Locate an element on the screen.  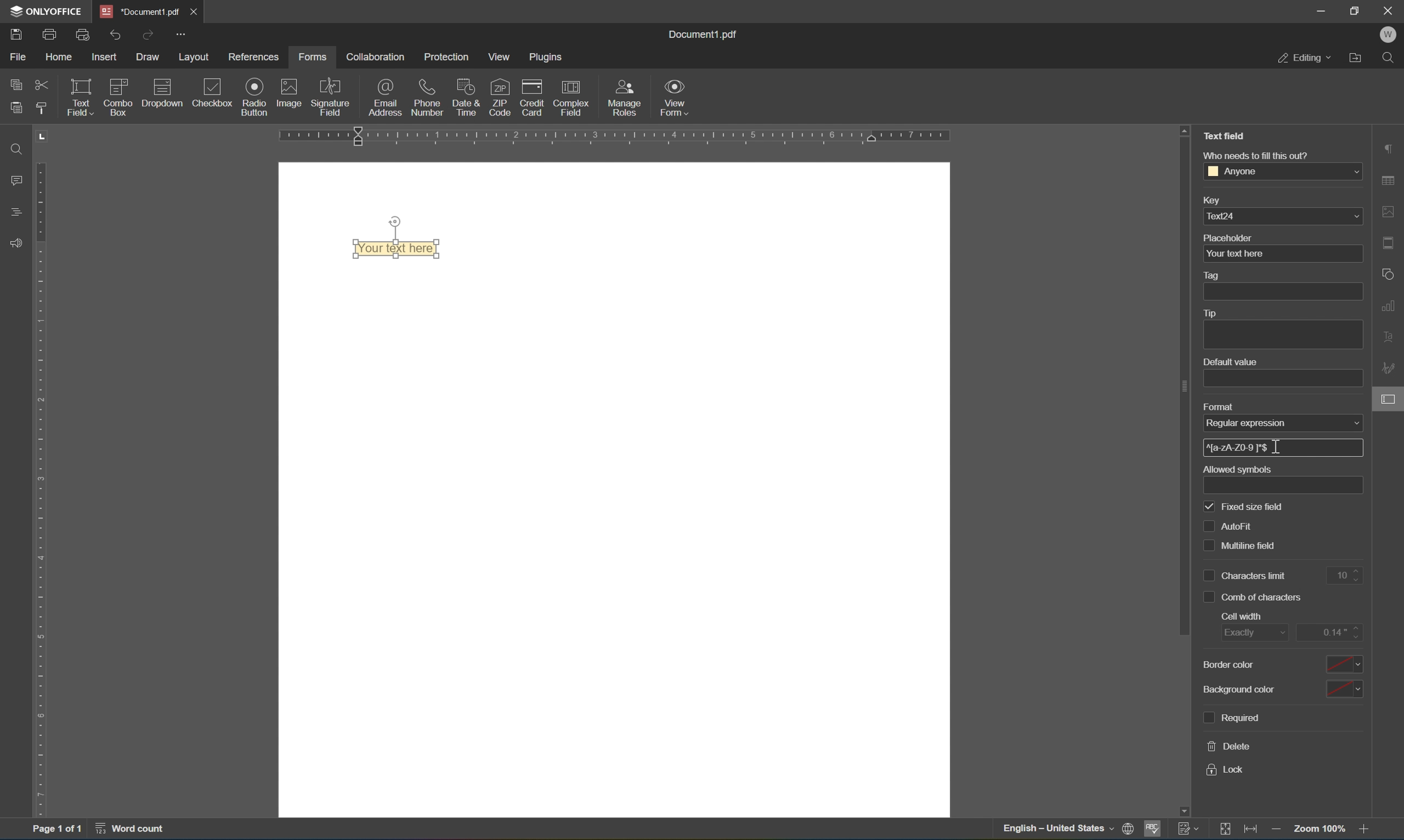
tag is located at coordinates (1214, 276).